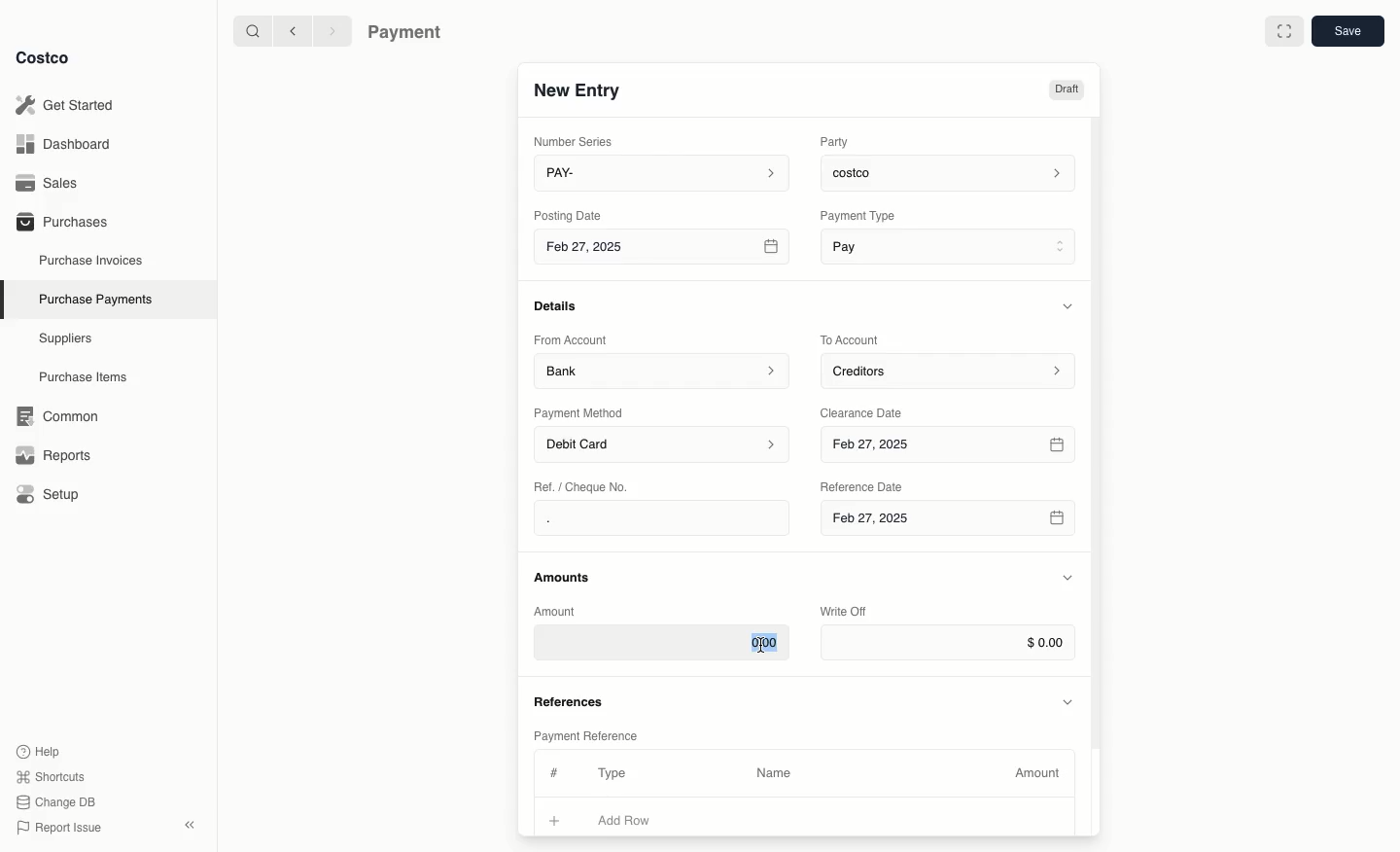  Describe the element at coordinates (663, 445) in the screenshot. I see `Debit Card` at that location.